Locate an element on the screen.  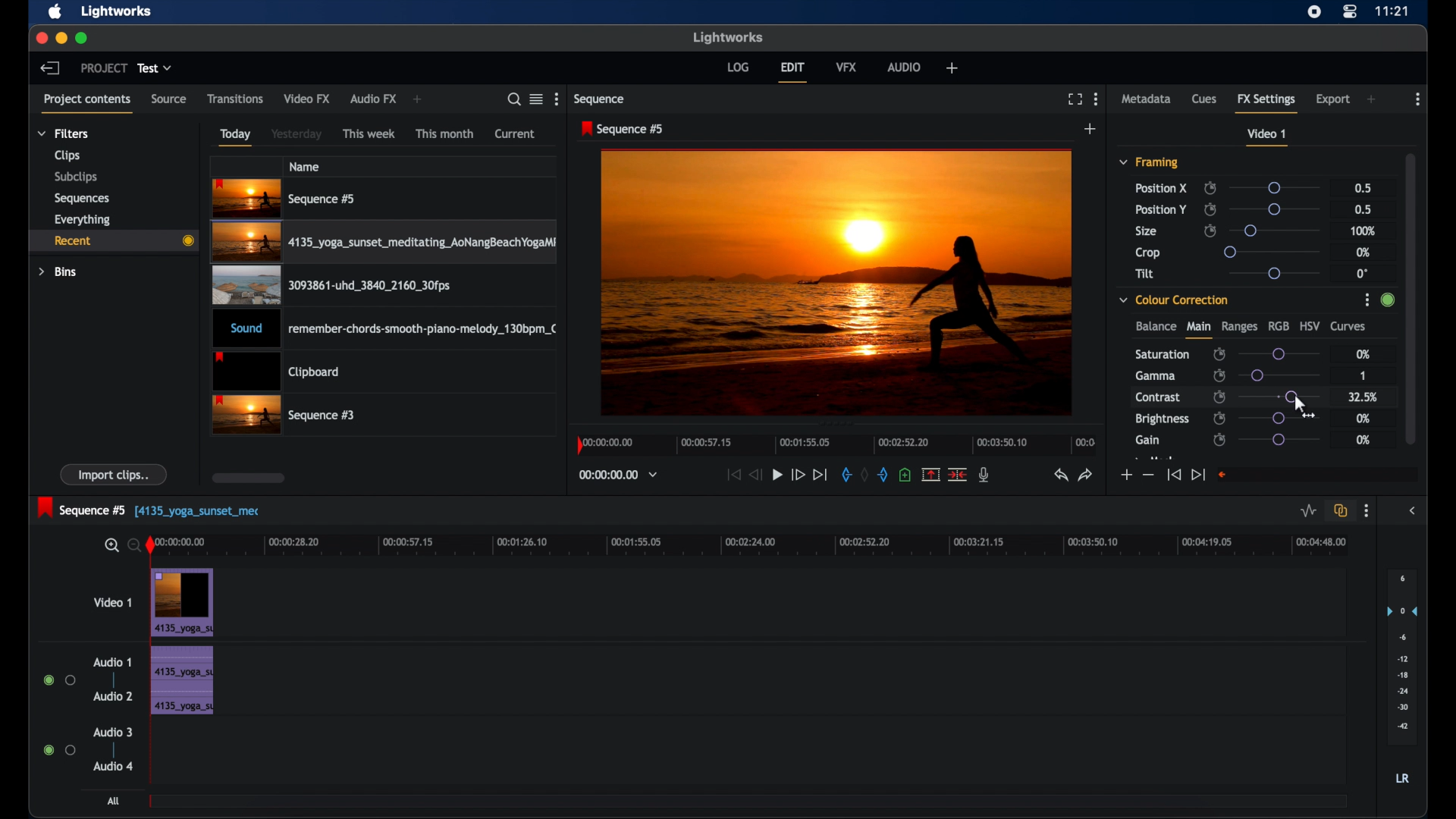
log is located at coordinates (737, 66).